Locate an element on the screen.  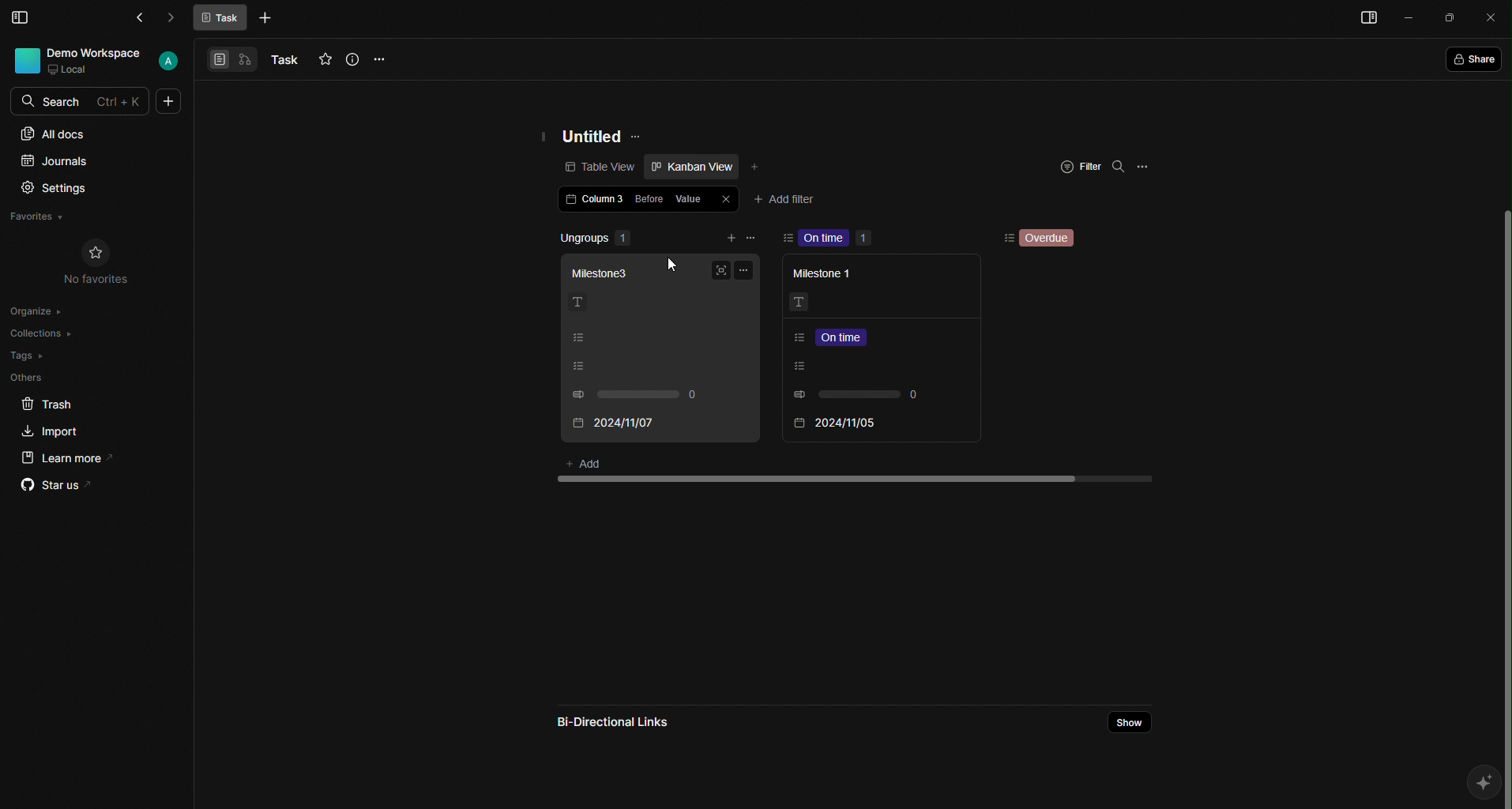
No Favorites is located at coordinates (96, 263).